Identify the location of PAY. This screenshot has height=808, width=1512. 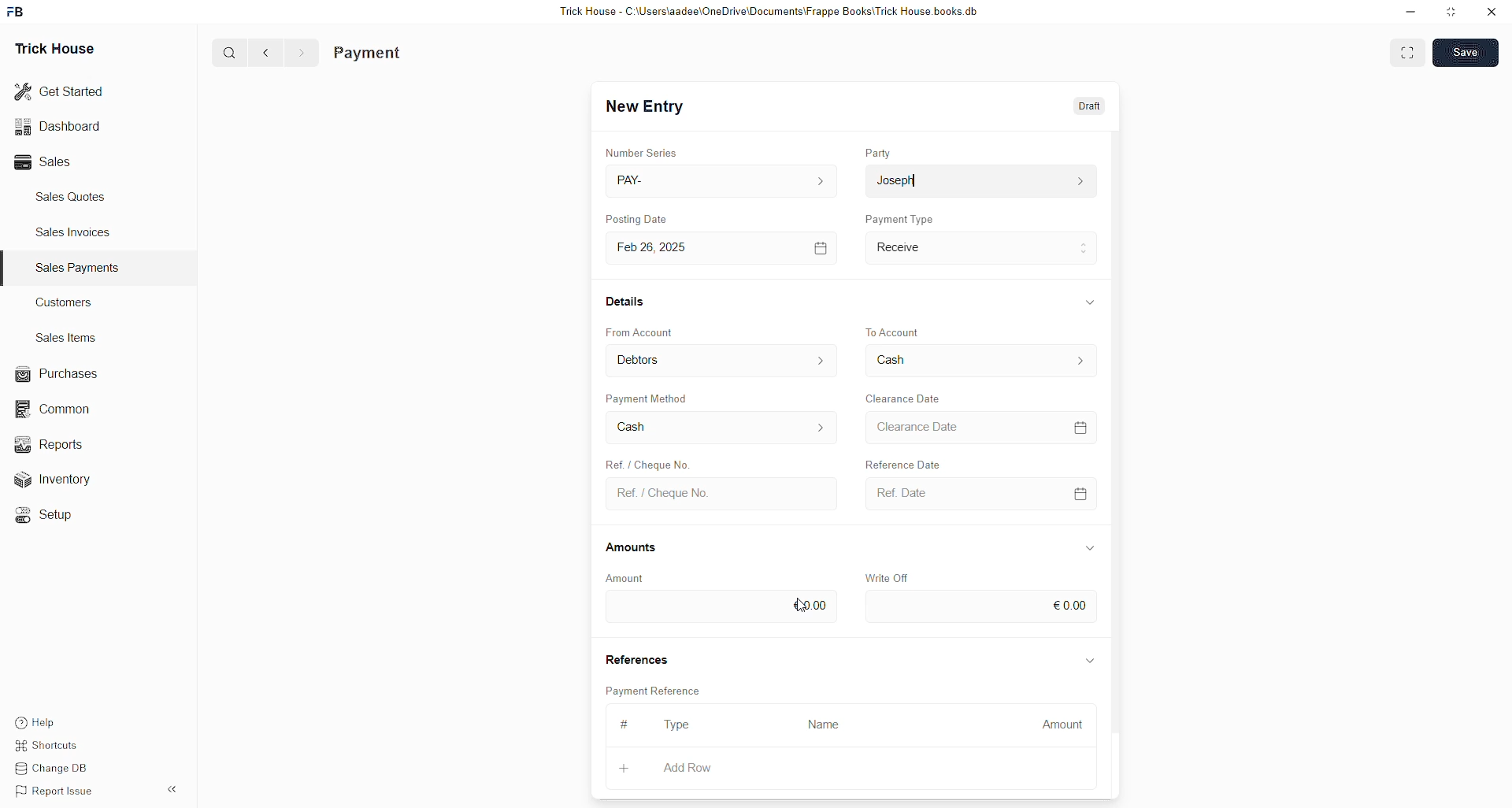
(724, 180).